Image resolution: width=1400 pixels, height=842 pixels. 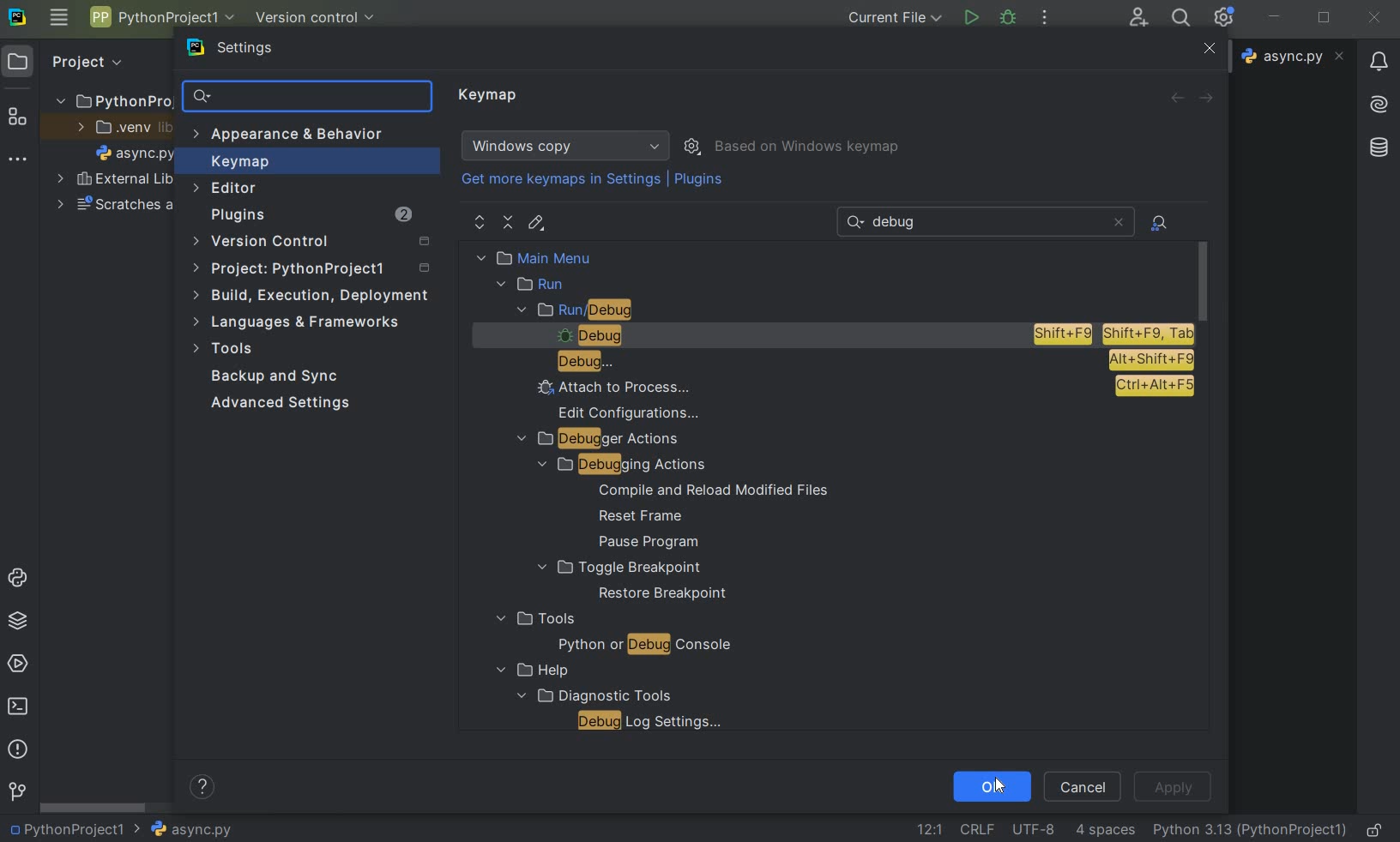 What do you see at coordinates (861, 388) in the screenshot?
I see `attachment` at bounding box center [861, 388].